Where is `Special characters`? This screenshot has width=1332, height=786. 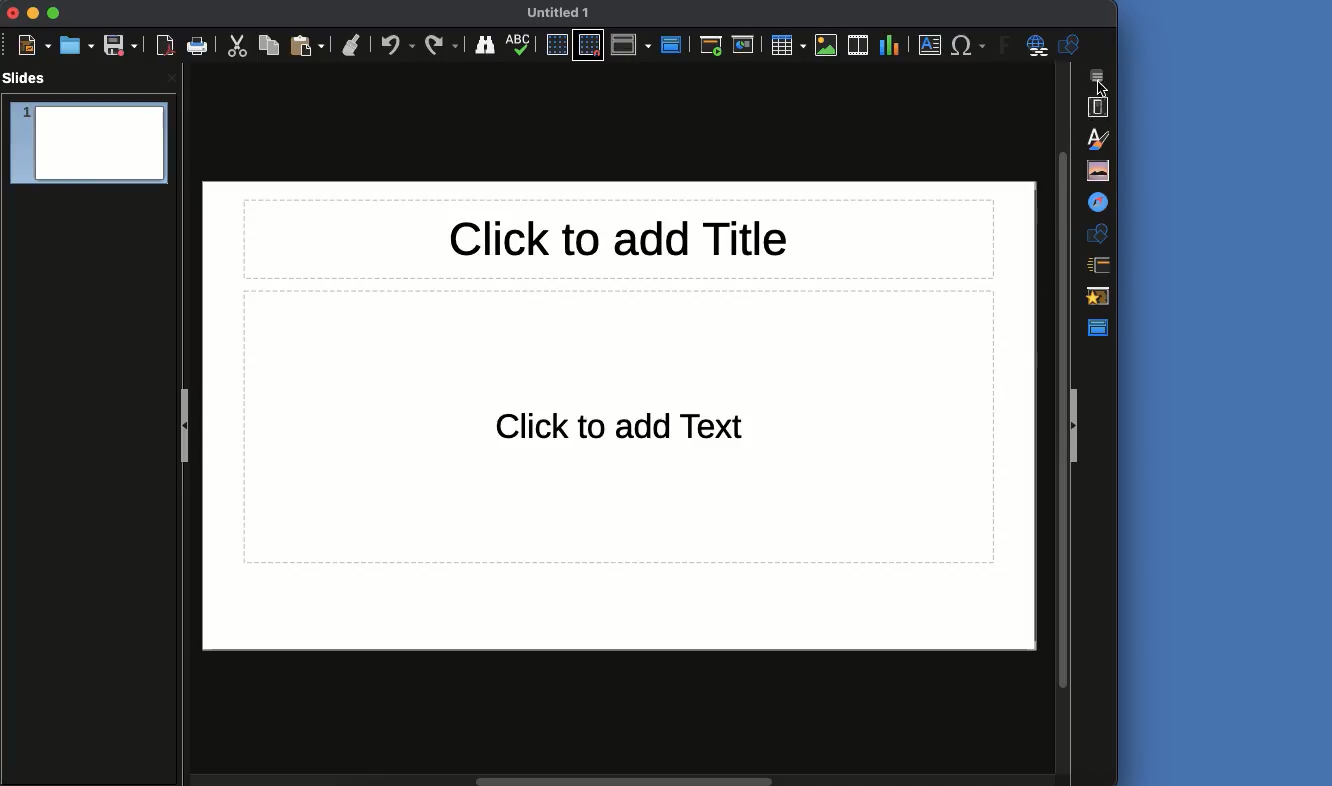 Special characters is located at coordinates (968, 44).